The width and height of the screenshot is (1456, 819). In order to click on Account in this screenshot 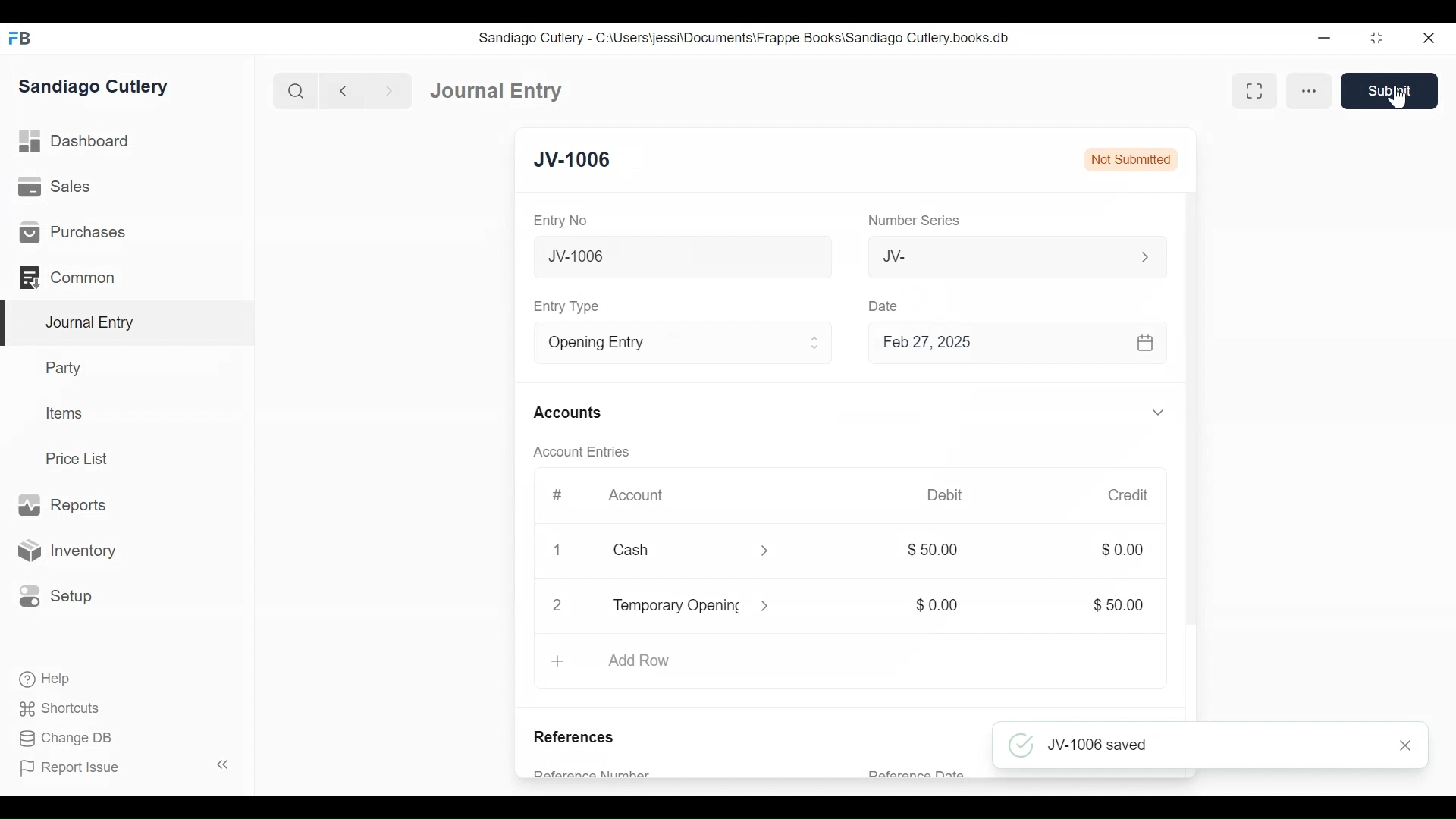, I will do `click(639, 496)`.